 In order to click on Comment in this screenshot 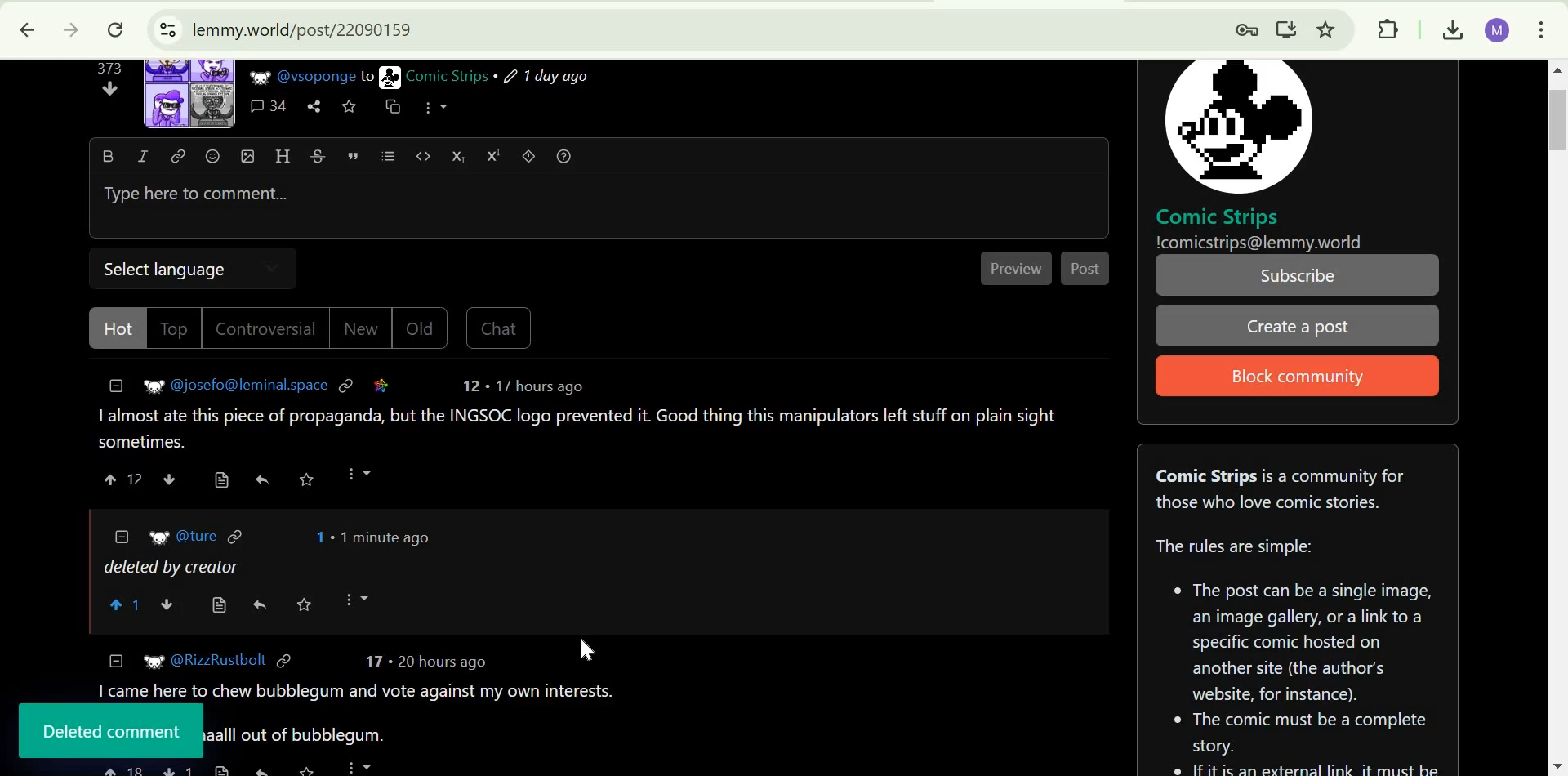, I will do `click(580, 429)`.